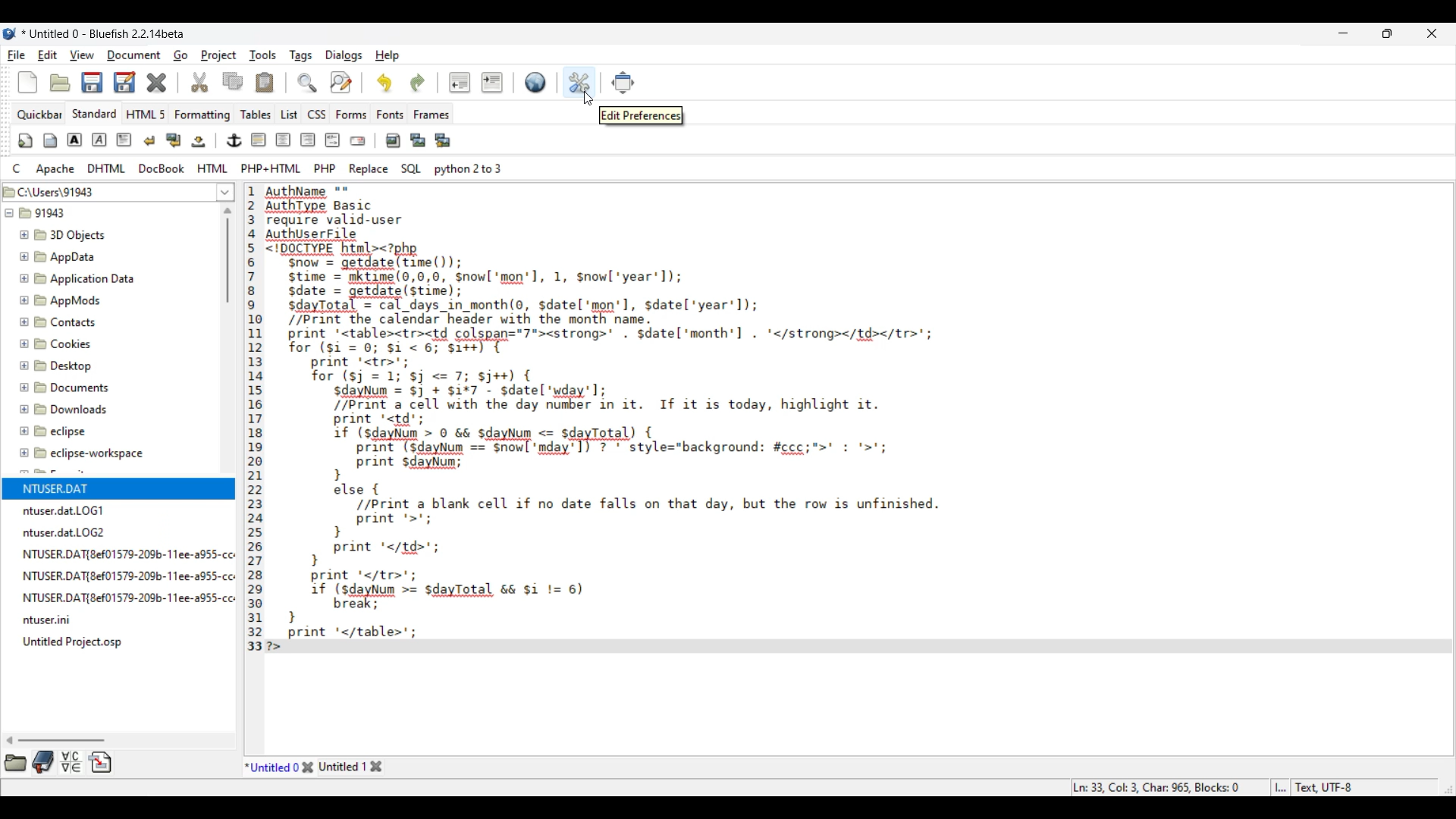  Describe the element at coordinates (64, 236) in the screenshot. I see ` 3D Objects.` at that location.